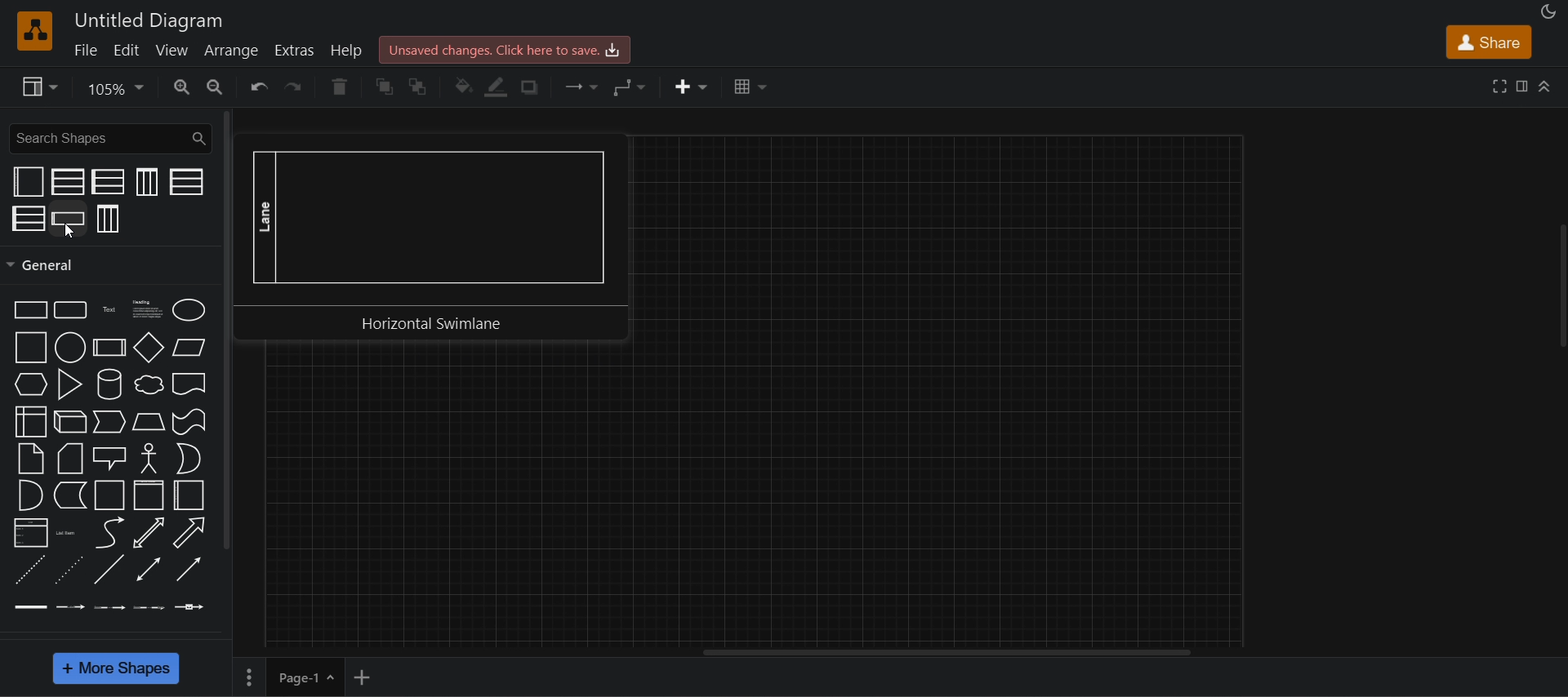  What do you see at coordinates (69, 496) in the screenshot?
I see `data storage` at bounding box center [69, 496].